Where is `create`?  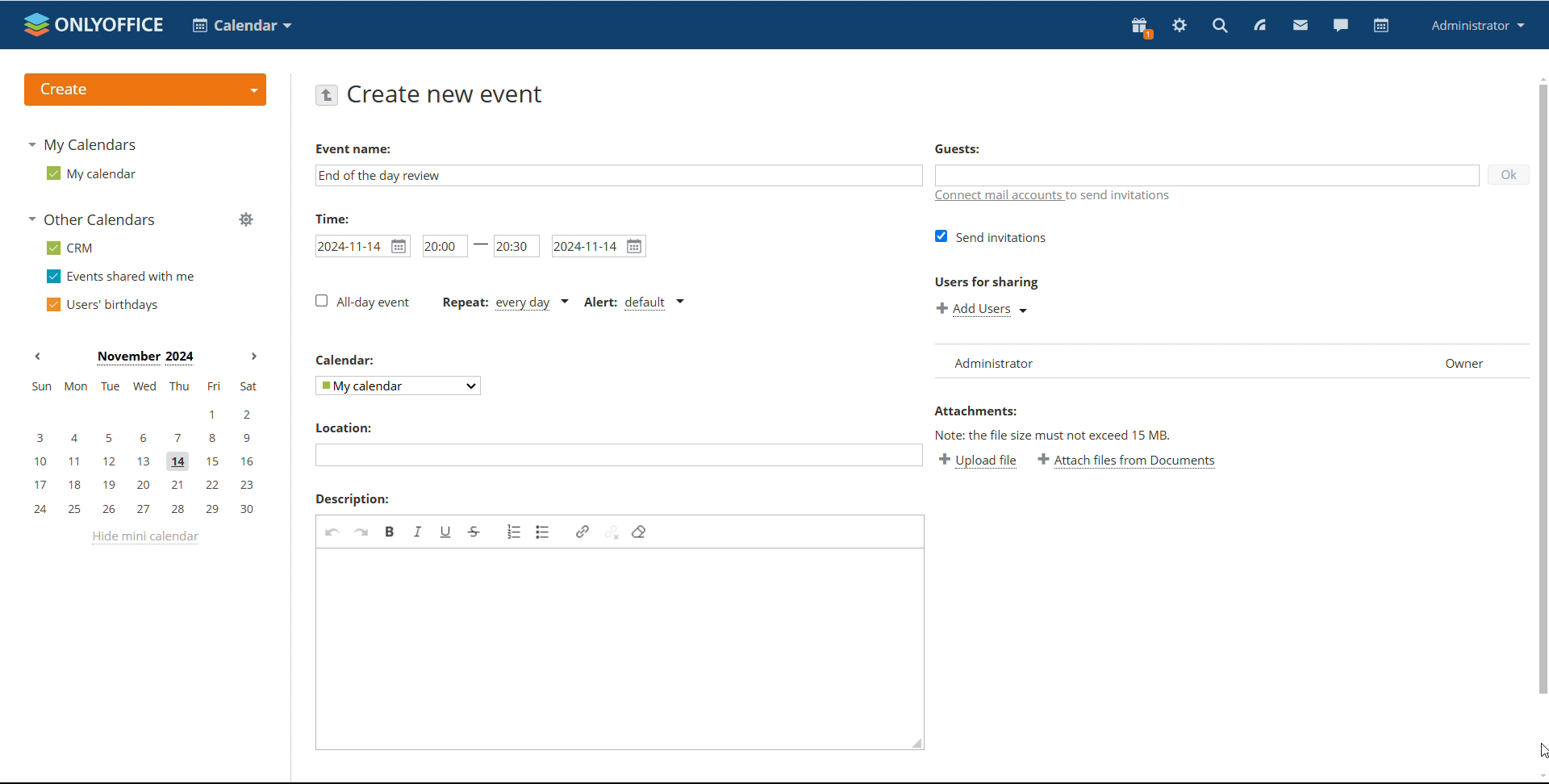
create is located at coordinates (145, 90).